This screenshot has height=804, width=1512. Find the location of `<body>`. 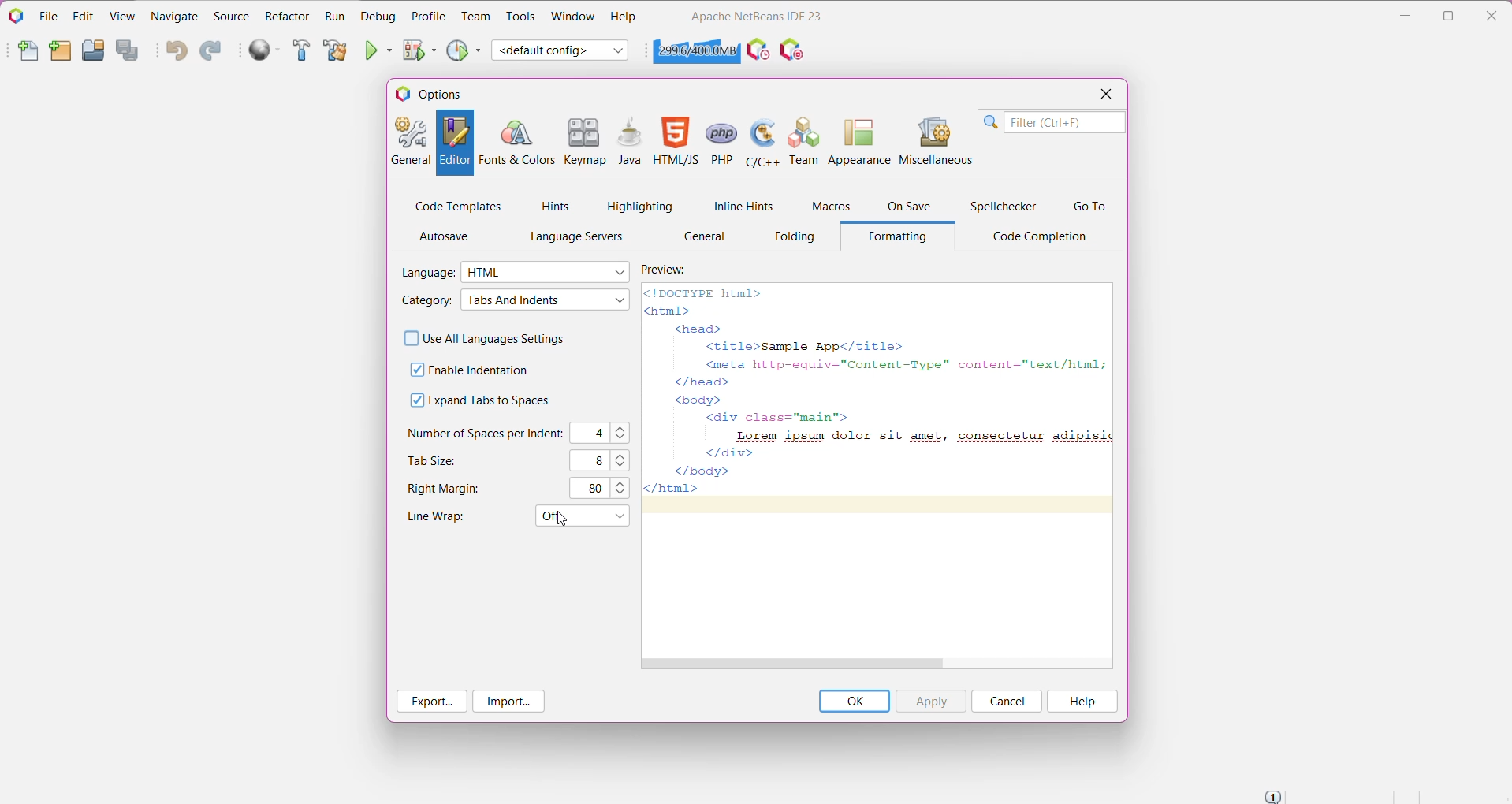

<body> is located at coordinates (692, 399).